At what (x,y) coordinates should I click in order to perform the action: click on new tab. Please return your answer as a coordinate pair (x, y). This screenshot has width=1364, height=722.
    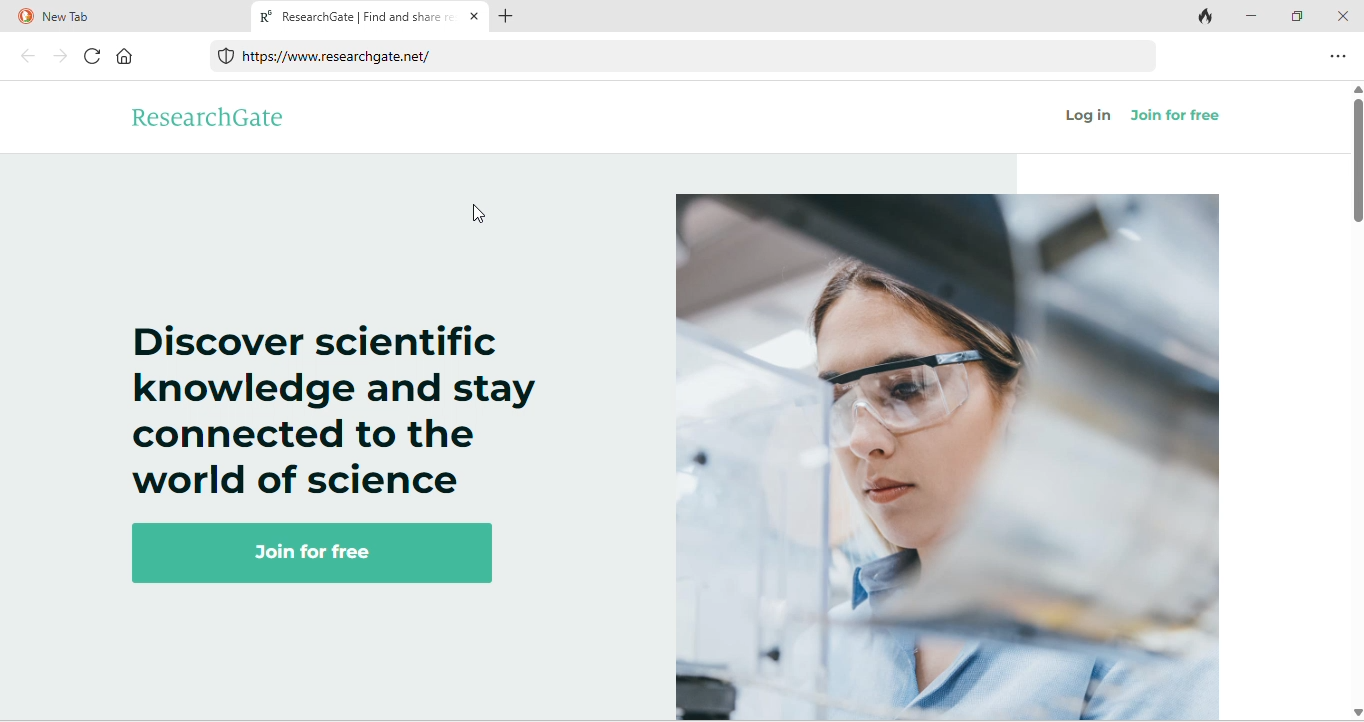
    Looking at the image, I should click on (121, 17).